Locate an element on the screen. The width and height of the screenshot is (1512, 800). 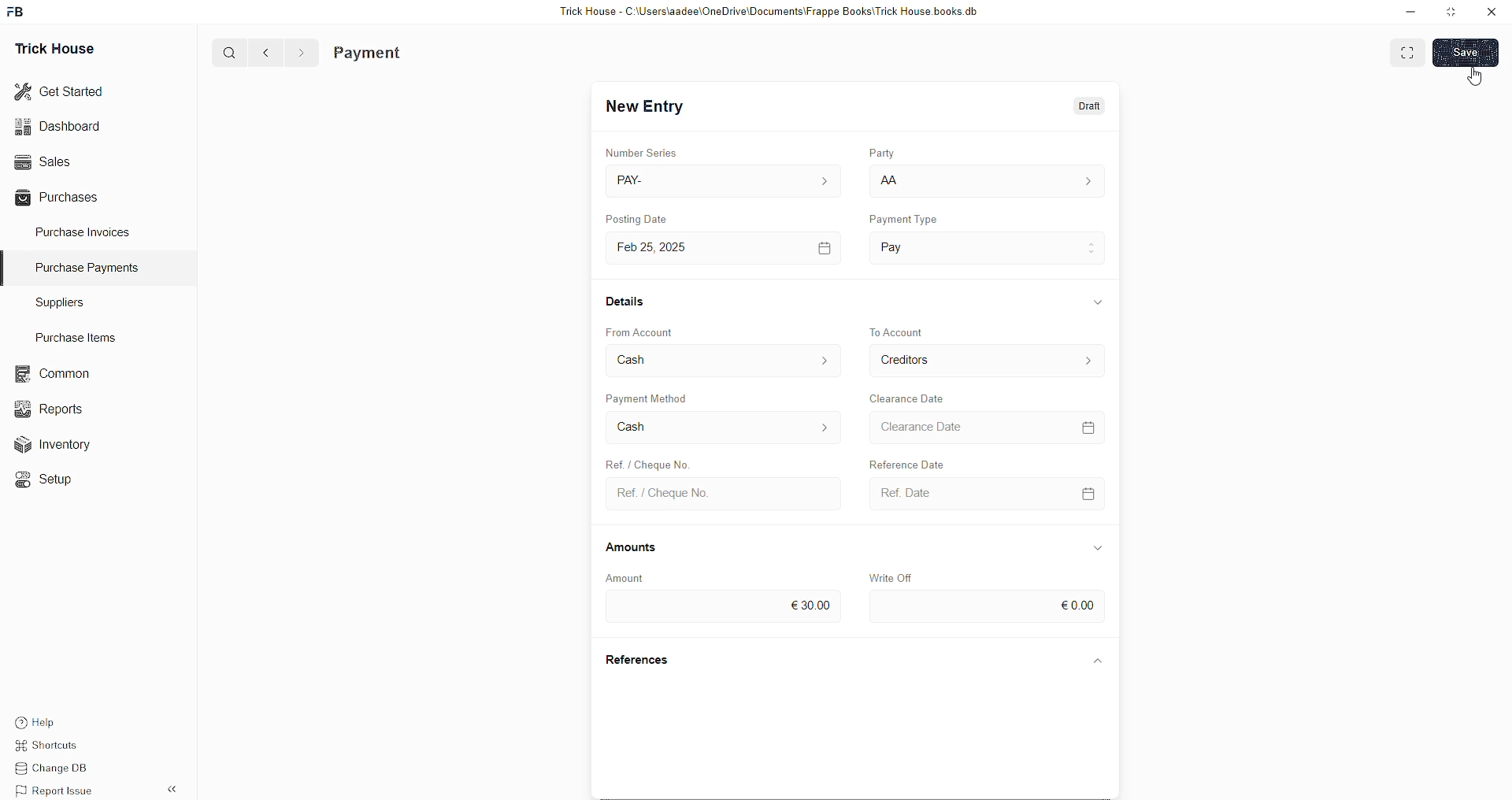
FB is located at coordinates (18, 10).